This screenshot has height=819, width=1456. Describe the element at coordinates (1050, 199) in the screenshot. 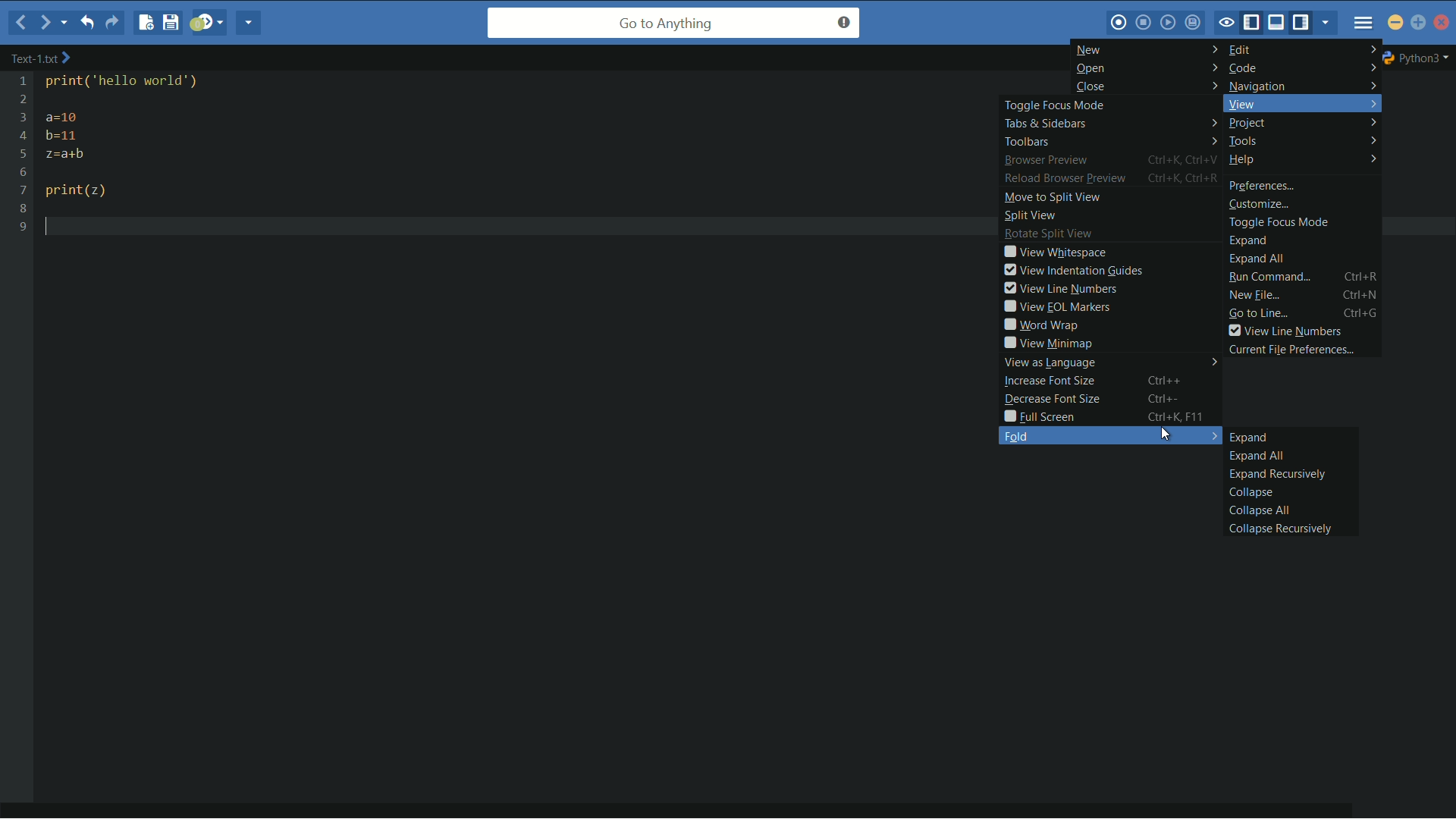

I see `move to split view` at that location.